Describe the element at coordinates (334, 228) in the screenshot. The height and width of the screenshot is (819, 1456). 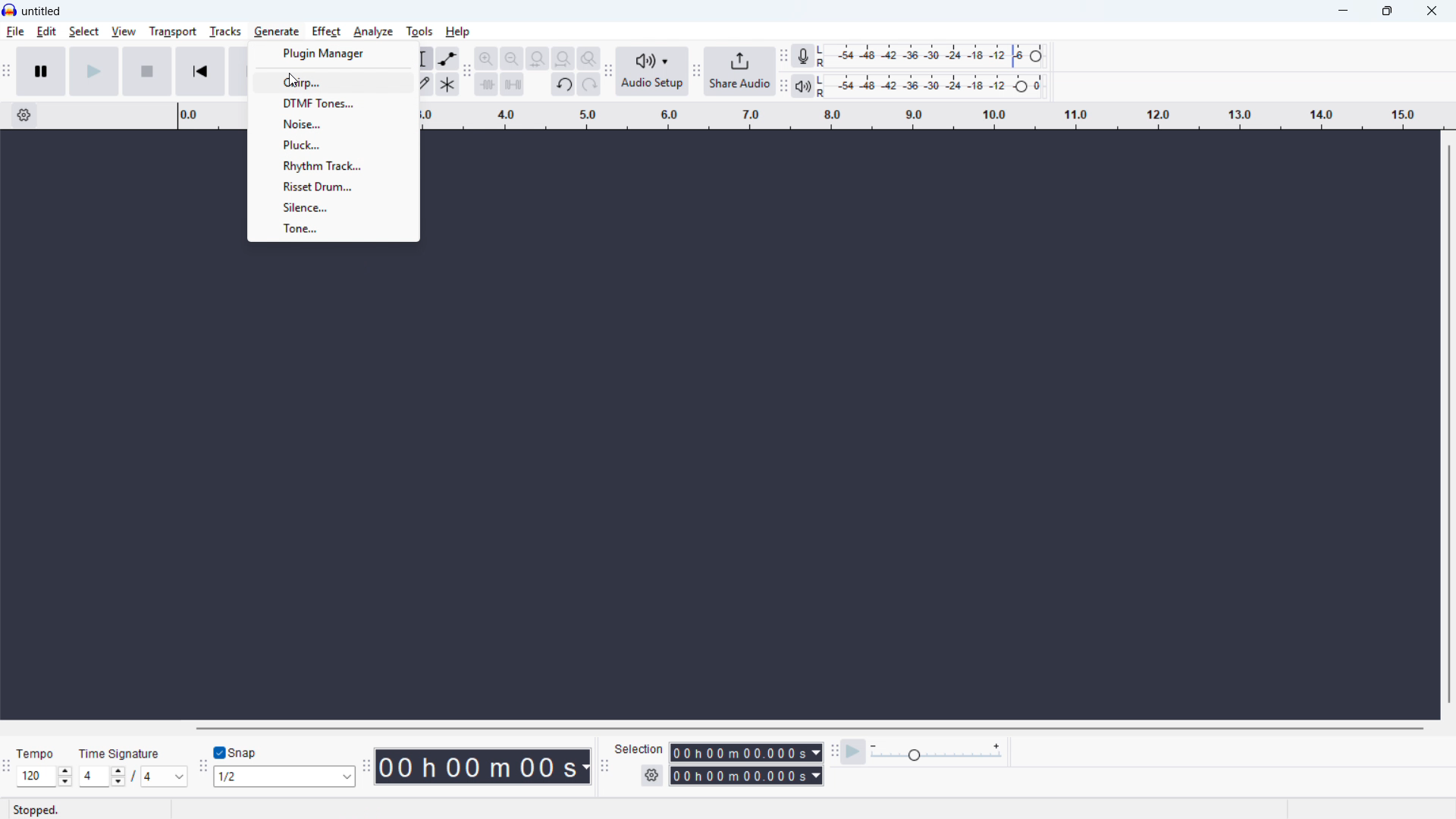
I see `Tone ` at that location.